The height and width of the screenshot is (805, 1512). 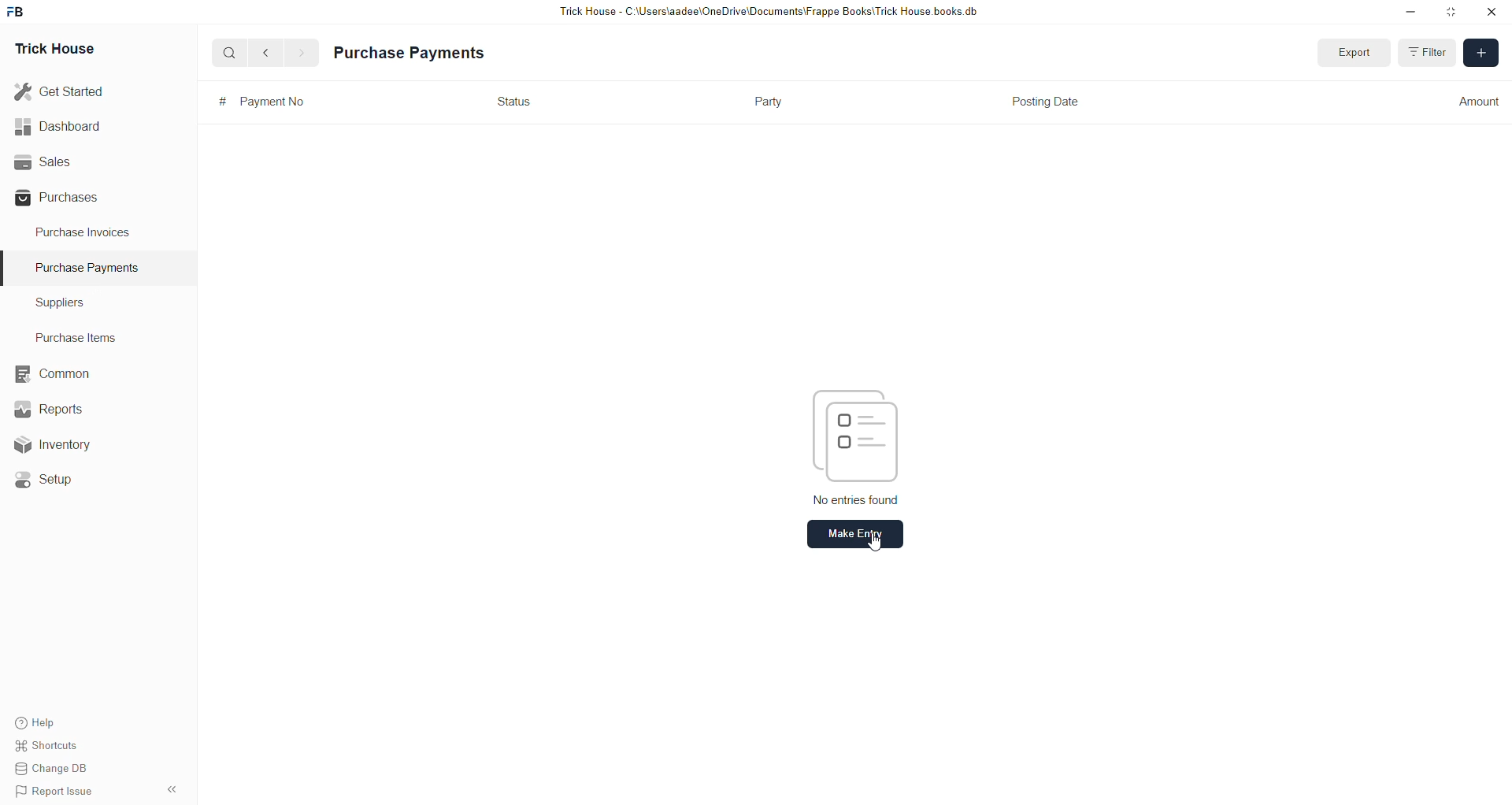 I want to click on  Payment No, so click(x=277, y=102).